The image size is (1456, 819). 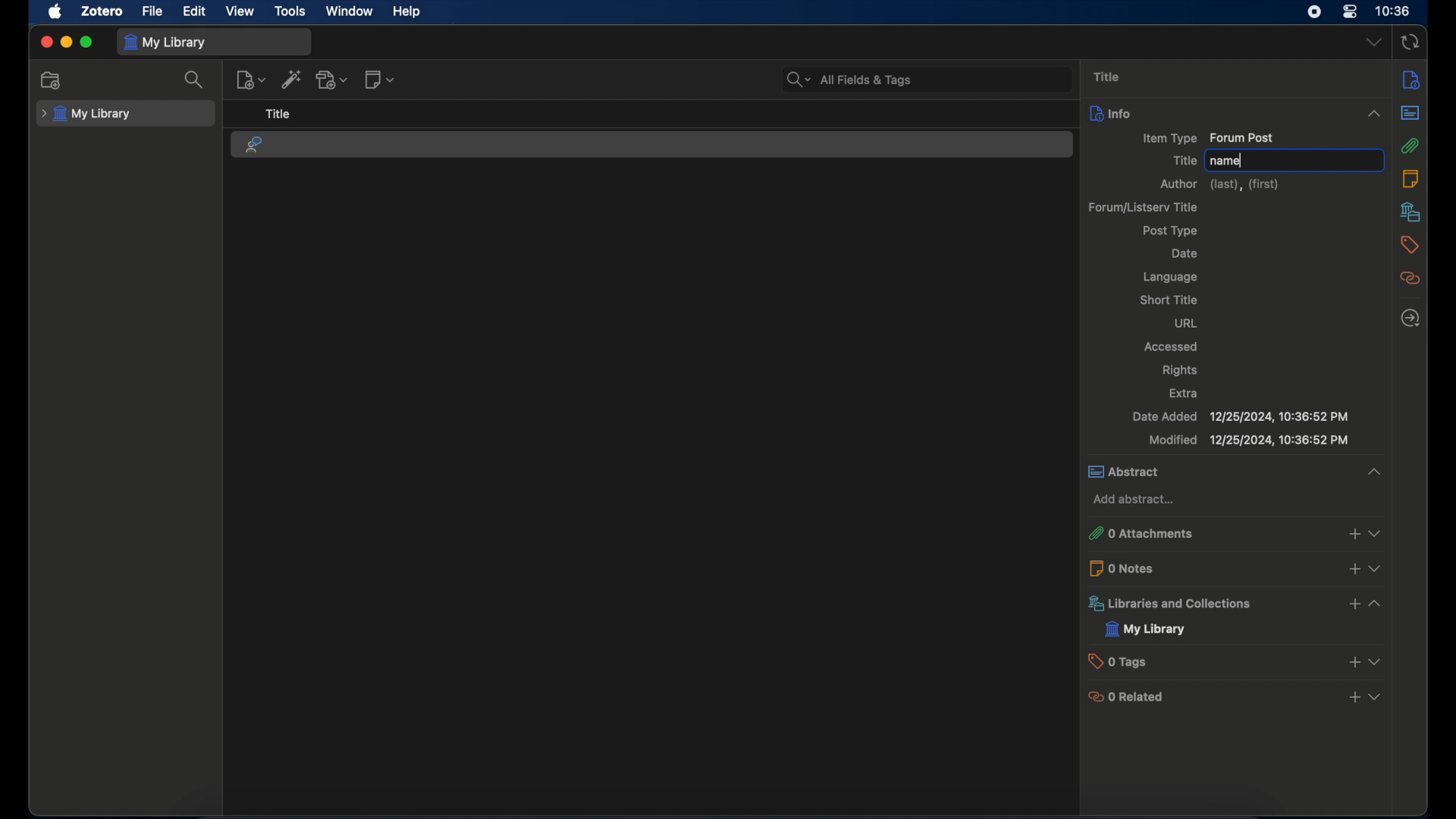 I want to click on screen recorder, so click(x=1313, y=12).